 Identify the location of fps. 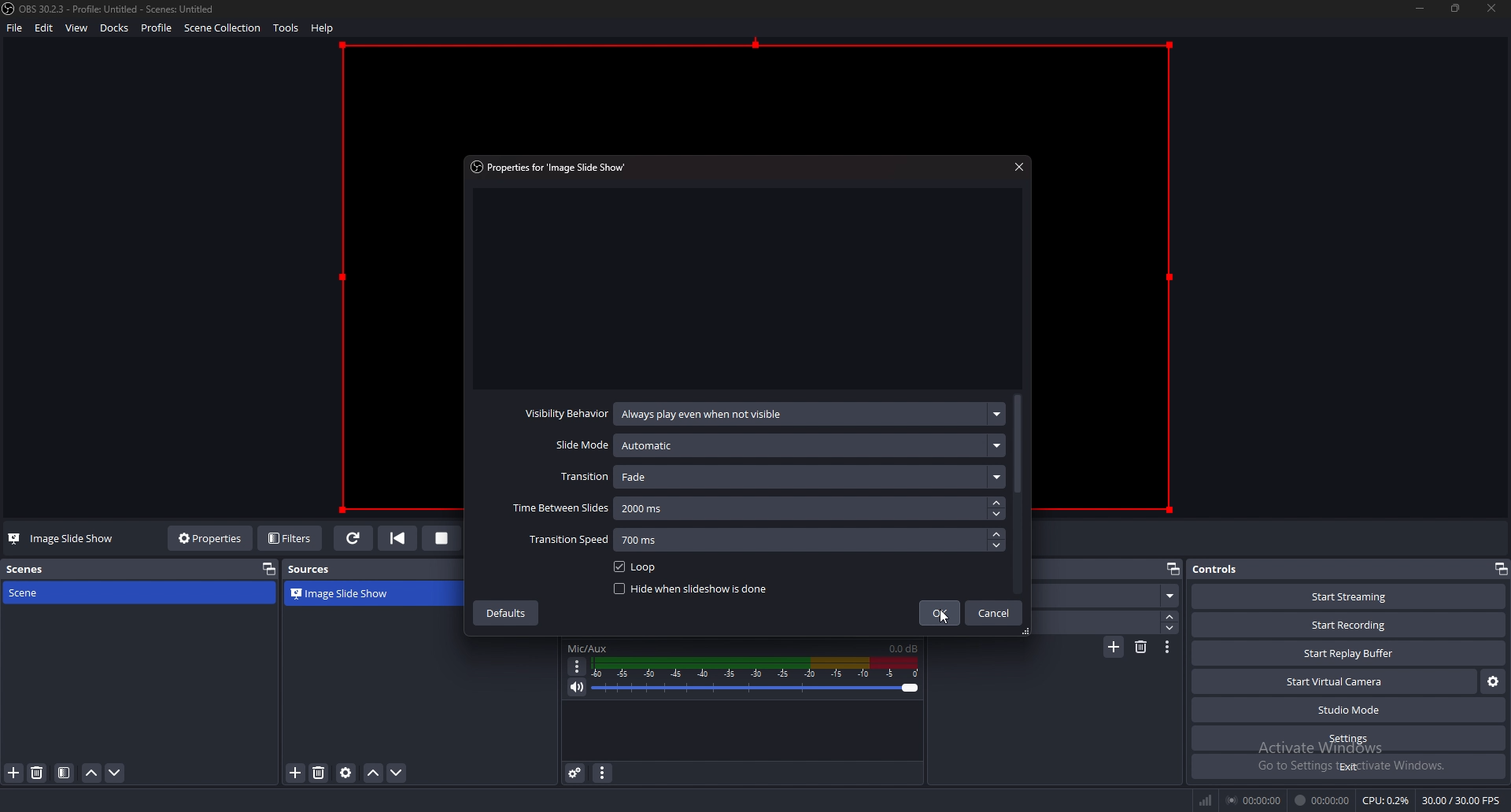
(1464, 802).